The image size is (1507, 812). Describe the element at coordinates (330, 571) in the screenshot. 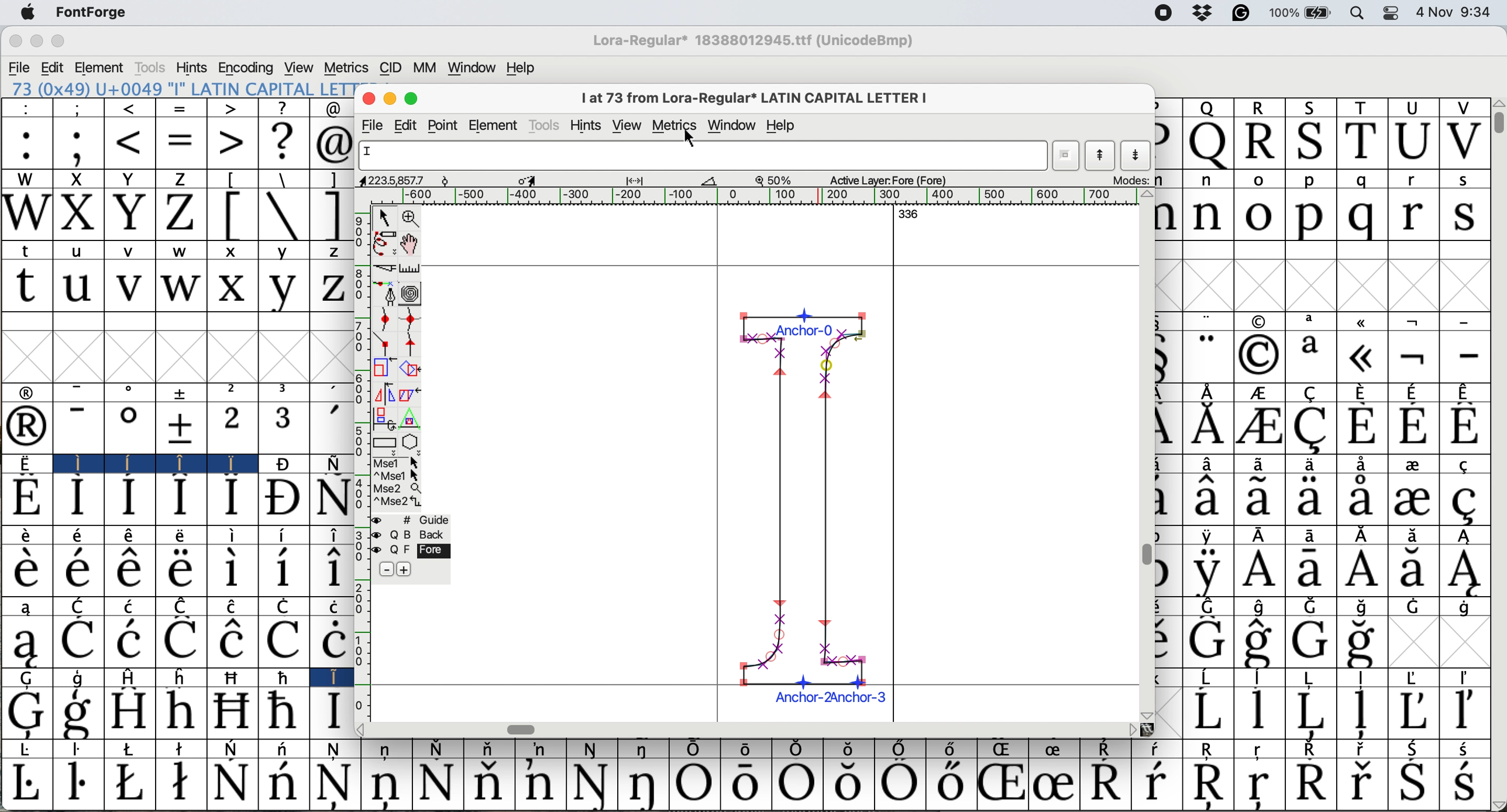

I see `Symbol` at that location.